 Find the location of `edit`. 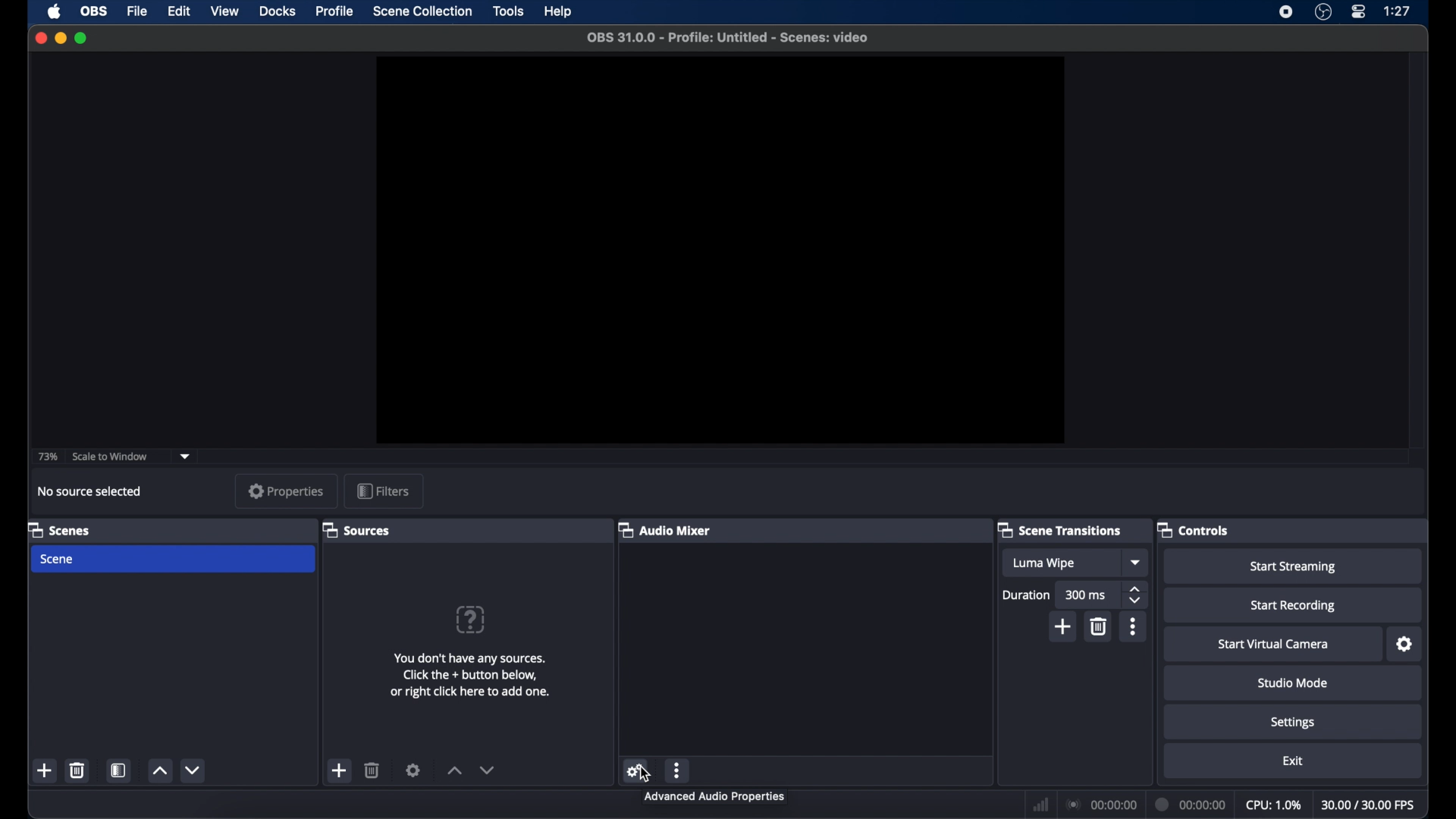

edit is located at coordinates (178, 12).